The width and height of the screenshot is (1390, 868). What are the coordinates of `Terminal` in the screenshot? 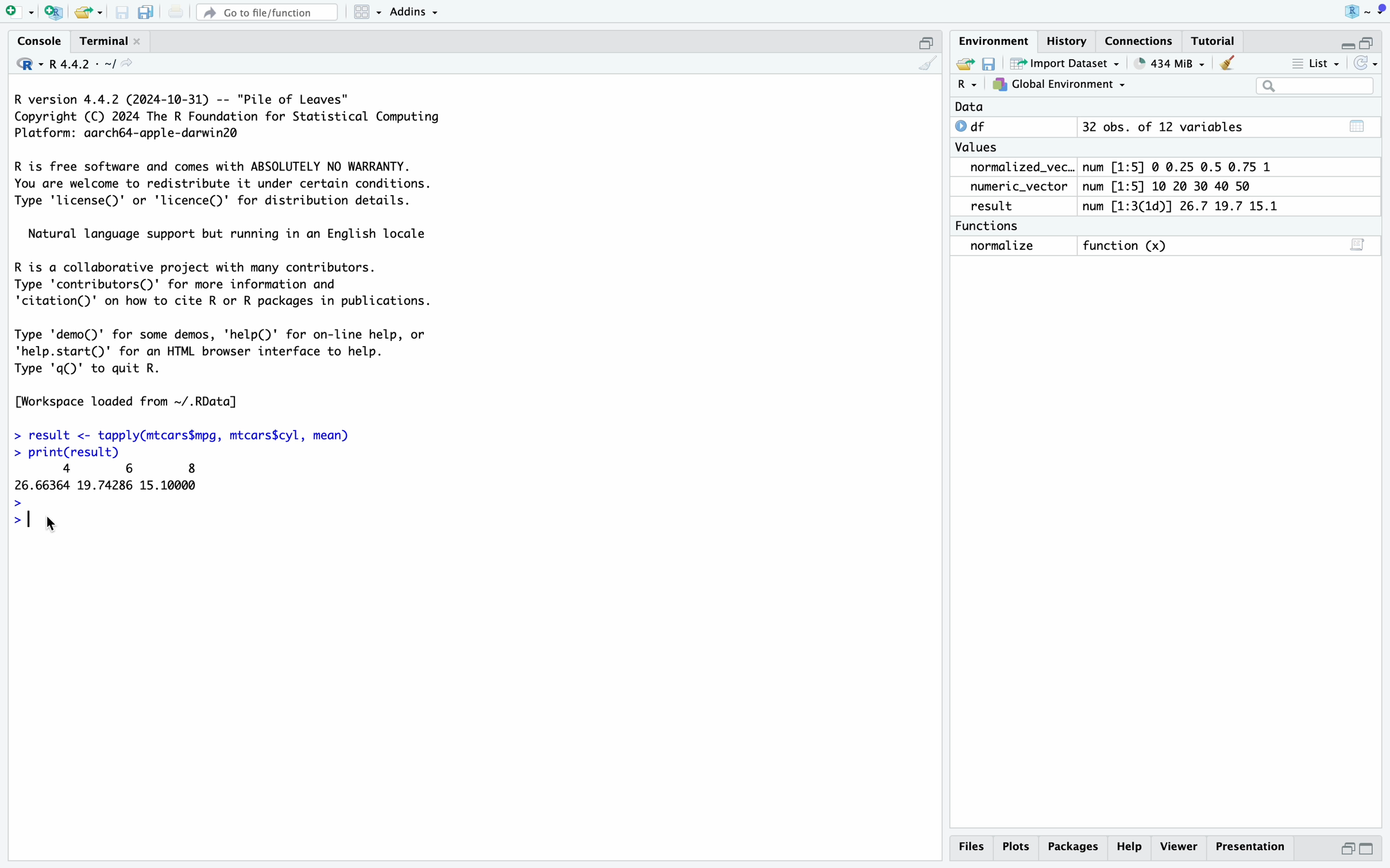 It's located at (110, 41).